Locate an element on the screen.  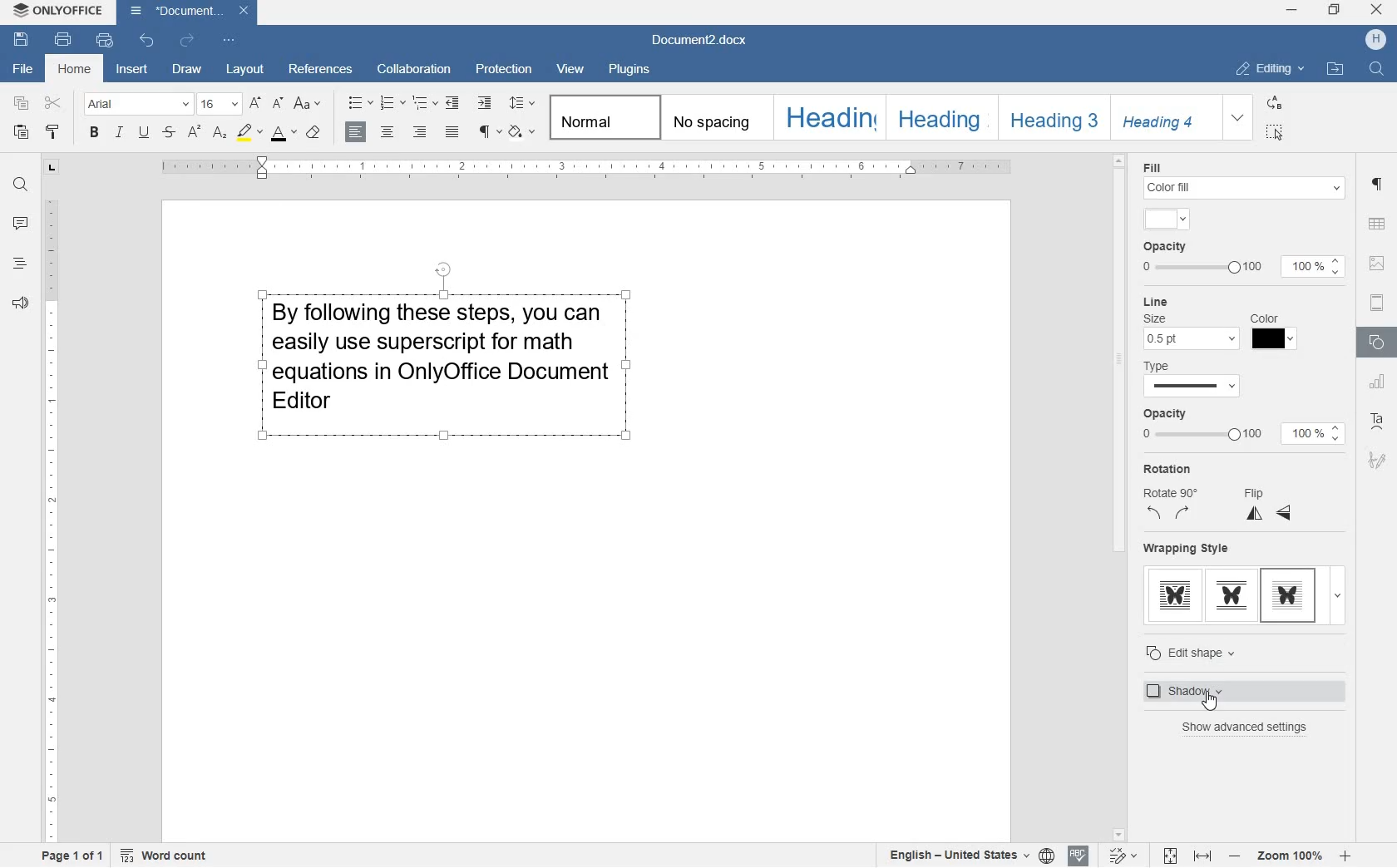
decrement font size is located at coordinates (275, 105).